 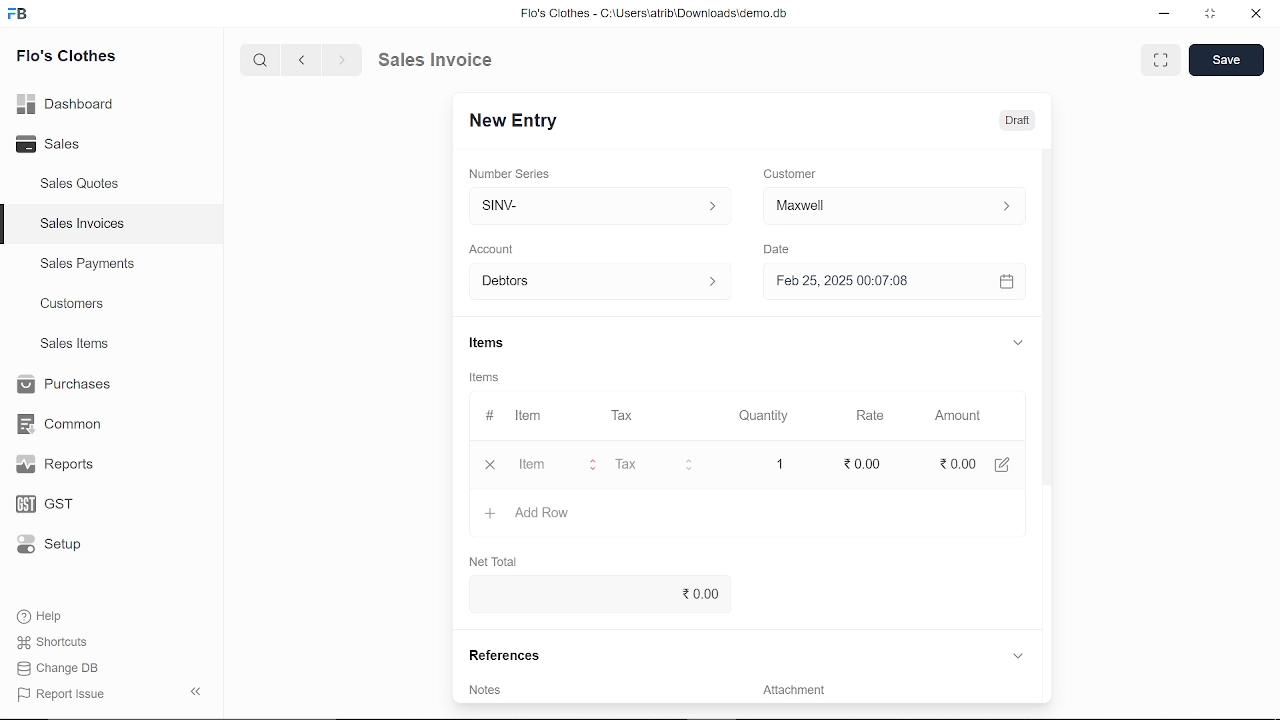 I want to click on Items, so click(x=487, y=376).